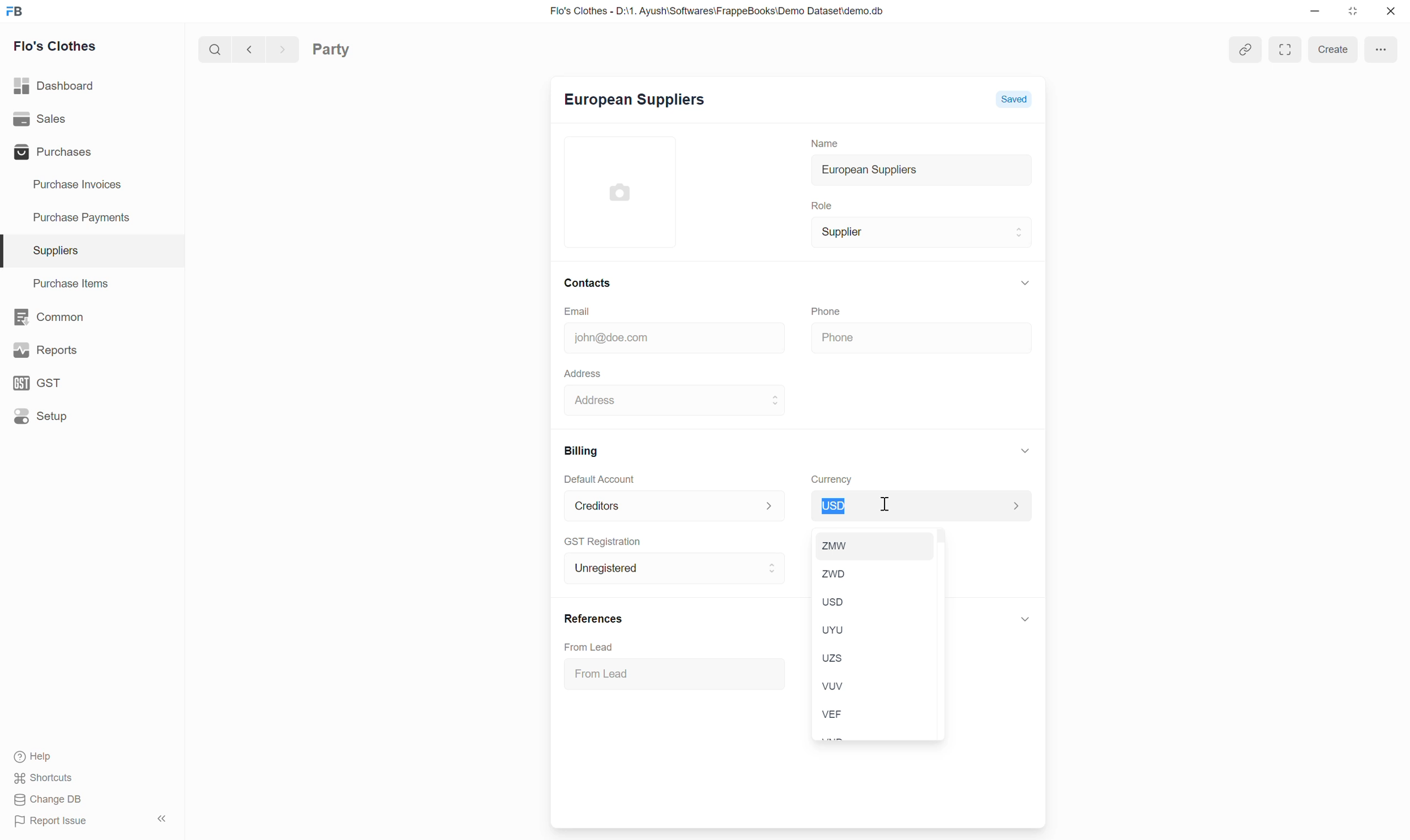  I want to click on create, so click(1330, 49).